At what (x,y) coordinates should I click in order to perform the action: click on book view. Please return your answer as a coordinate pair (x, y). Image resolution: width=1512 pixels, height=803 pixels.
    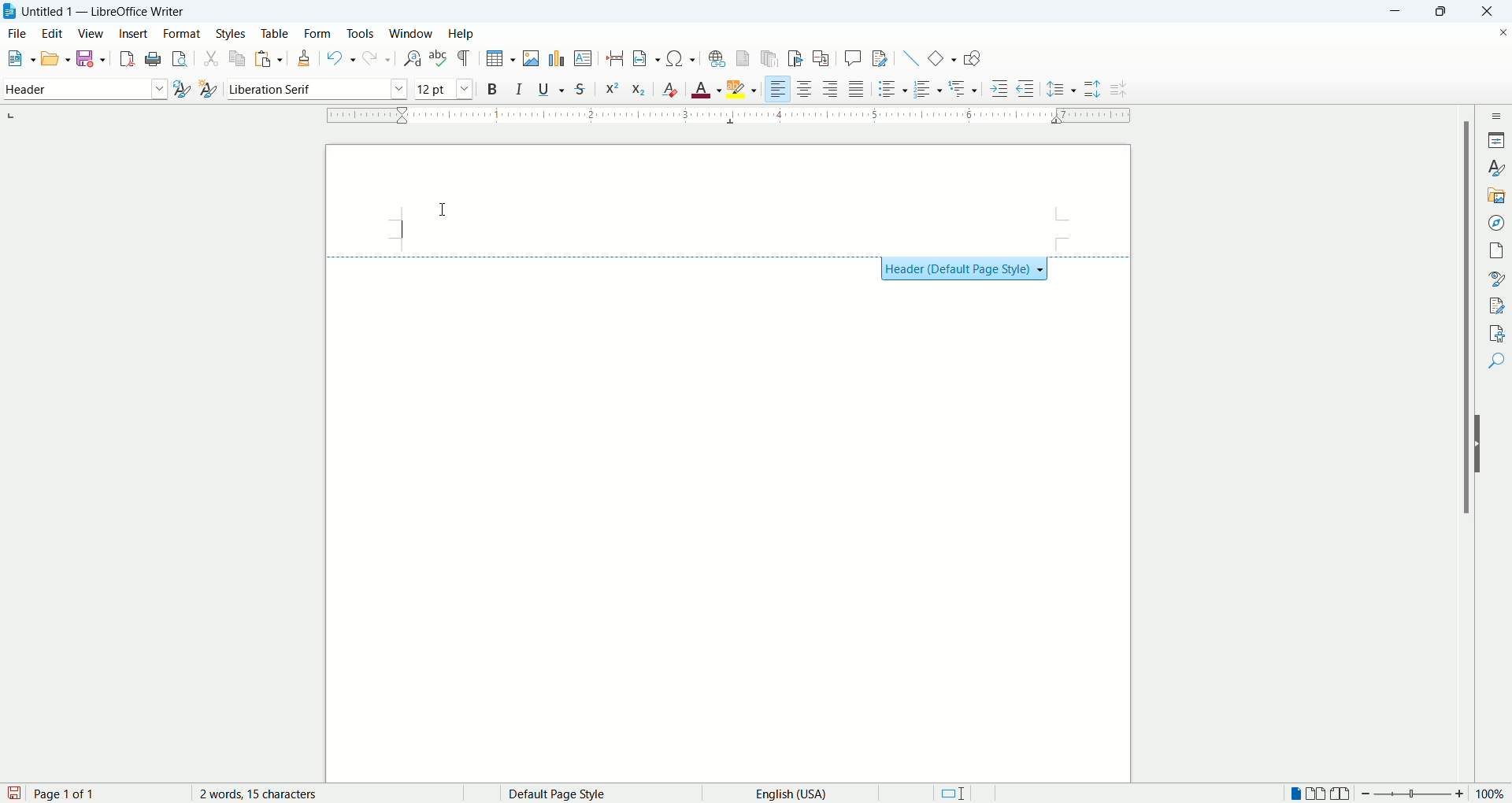
    Looking at the image, I should click on (1341, 794).